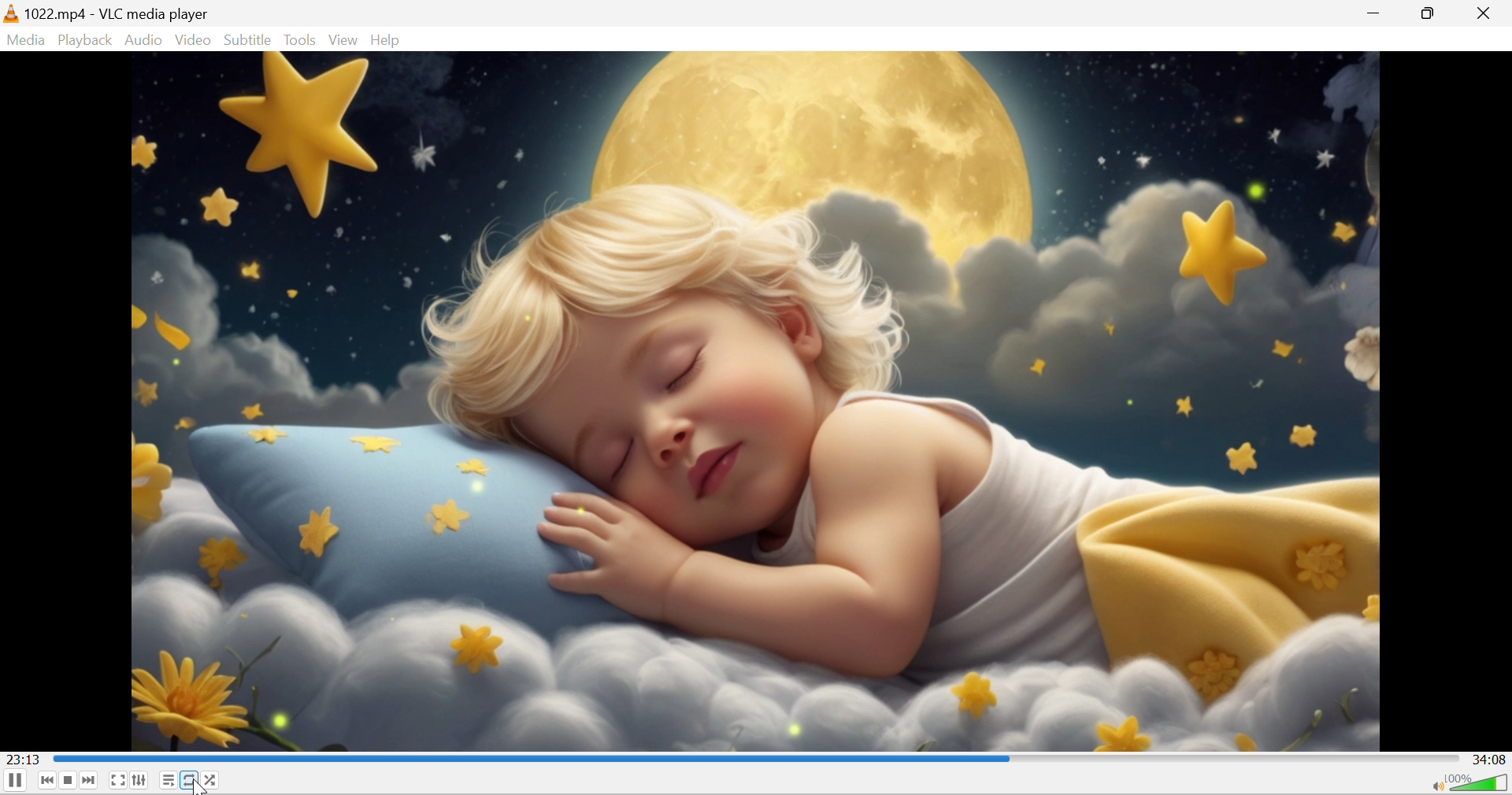 The width and height of the screenshot is (1512, 795). I want to click on 1022.mp4 - VLC media player, so click(117, 13).